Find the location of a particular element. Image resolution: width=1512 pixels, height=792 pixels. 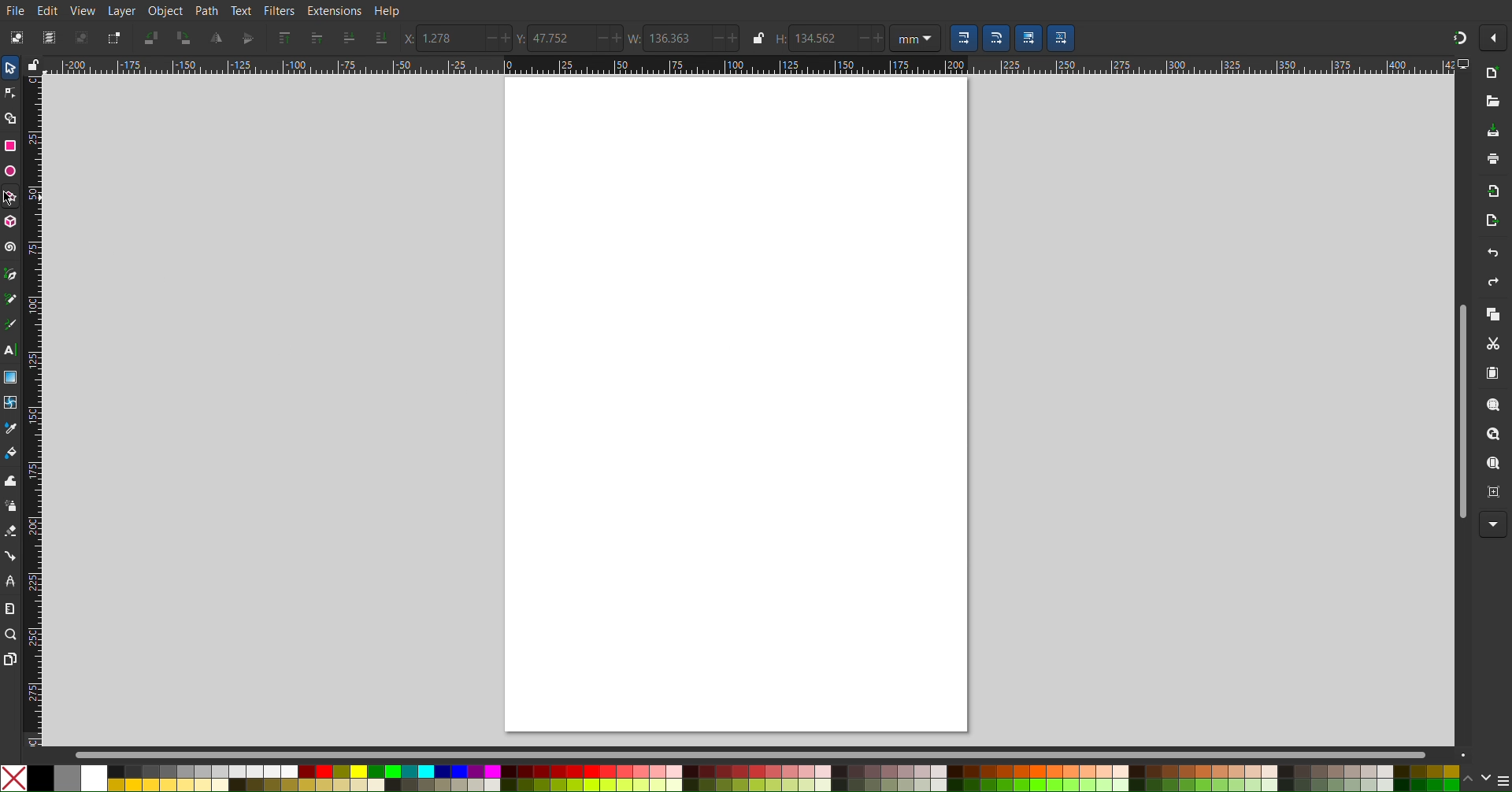

136 is located at coordinates (678, 39).